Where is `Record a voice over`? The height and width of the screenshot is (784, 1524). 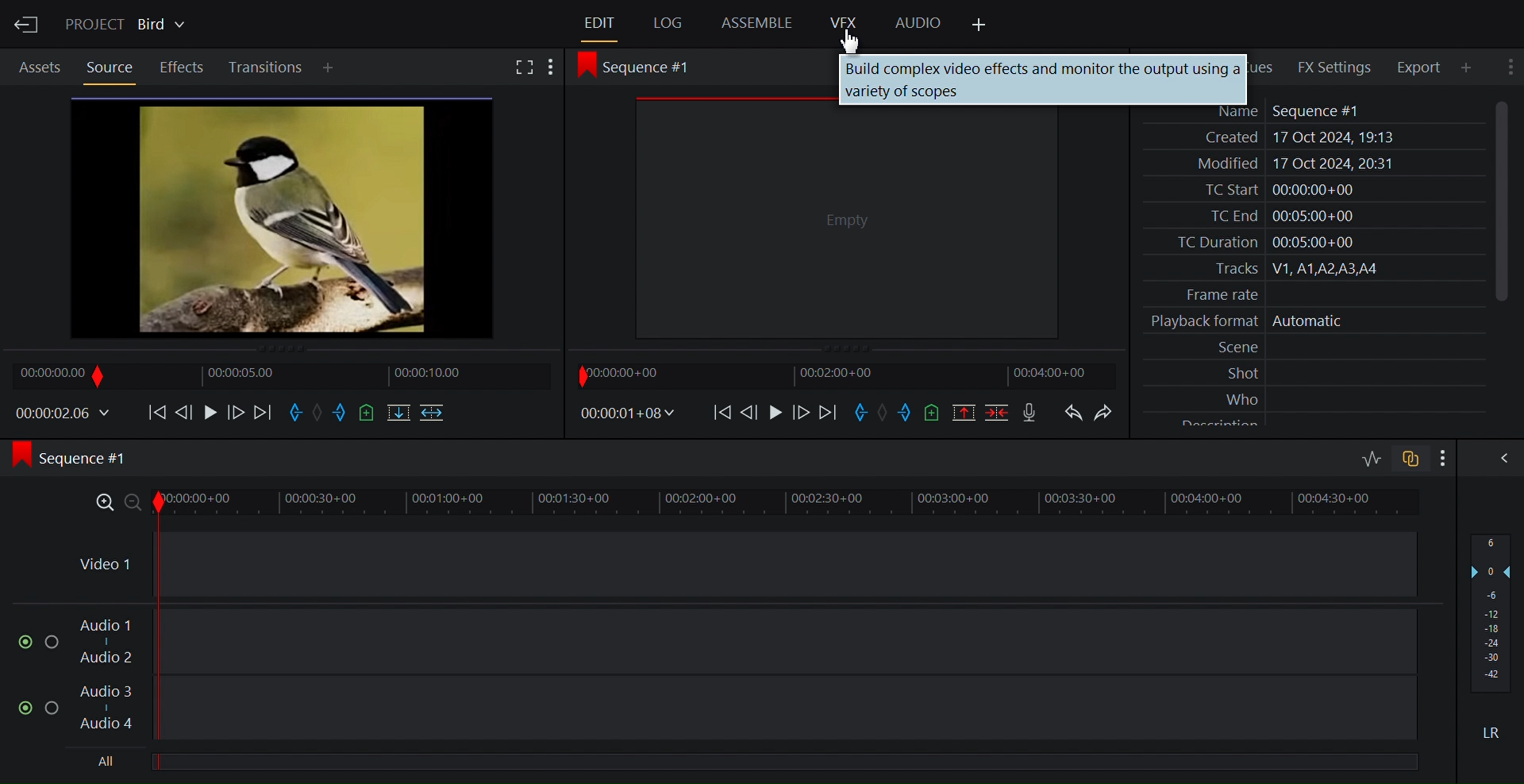 Record a voice over is located at coordinates (1033, 413).